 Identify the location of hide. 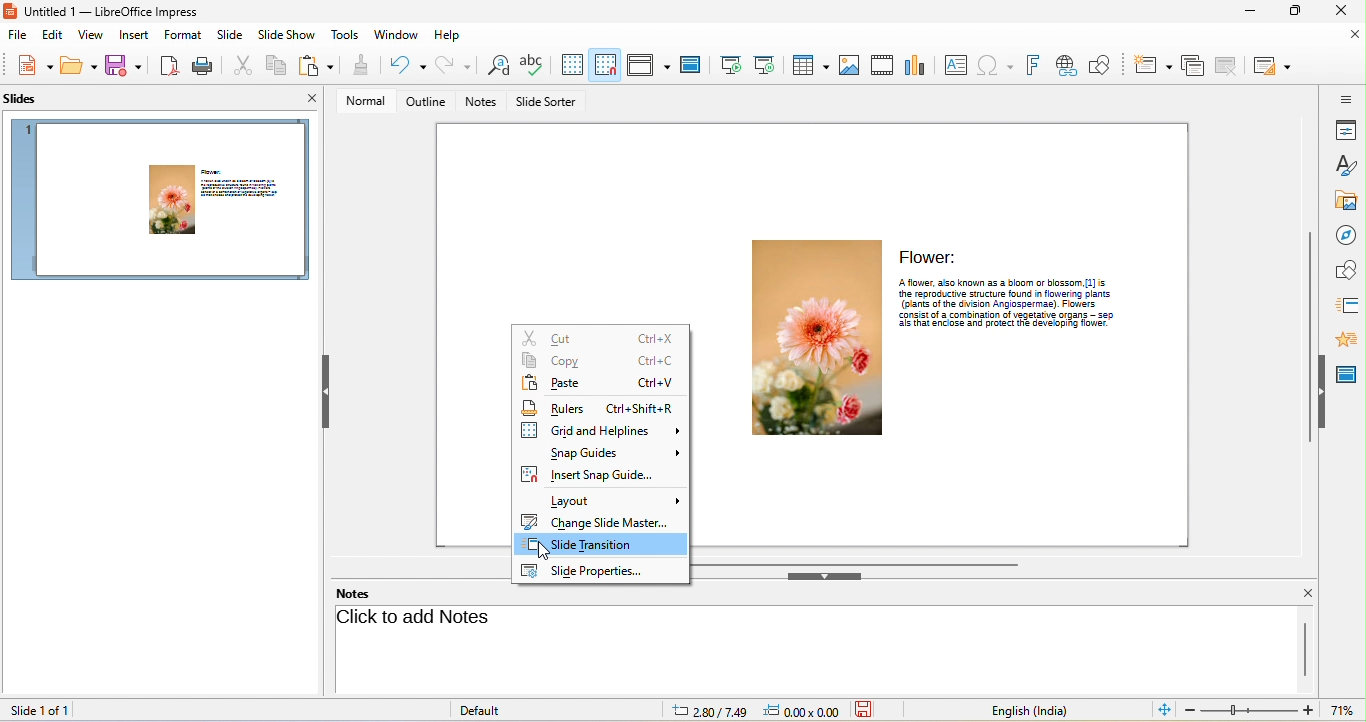
(330, 394).